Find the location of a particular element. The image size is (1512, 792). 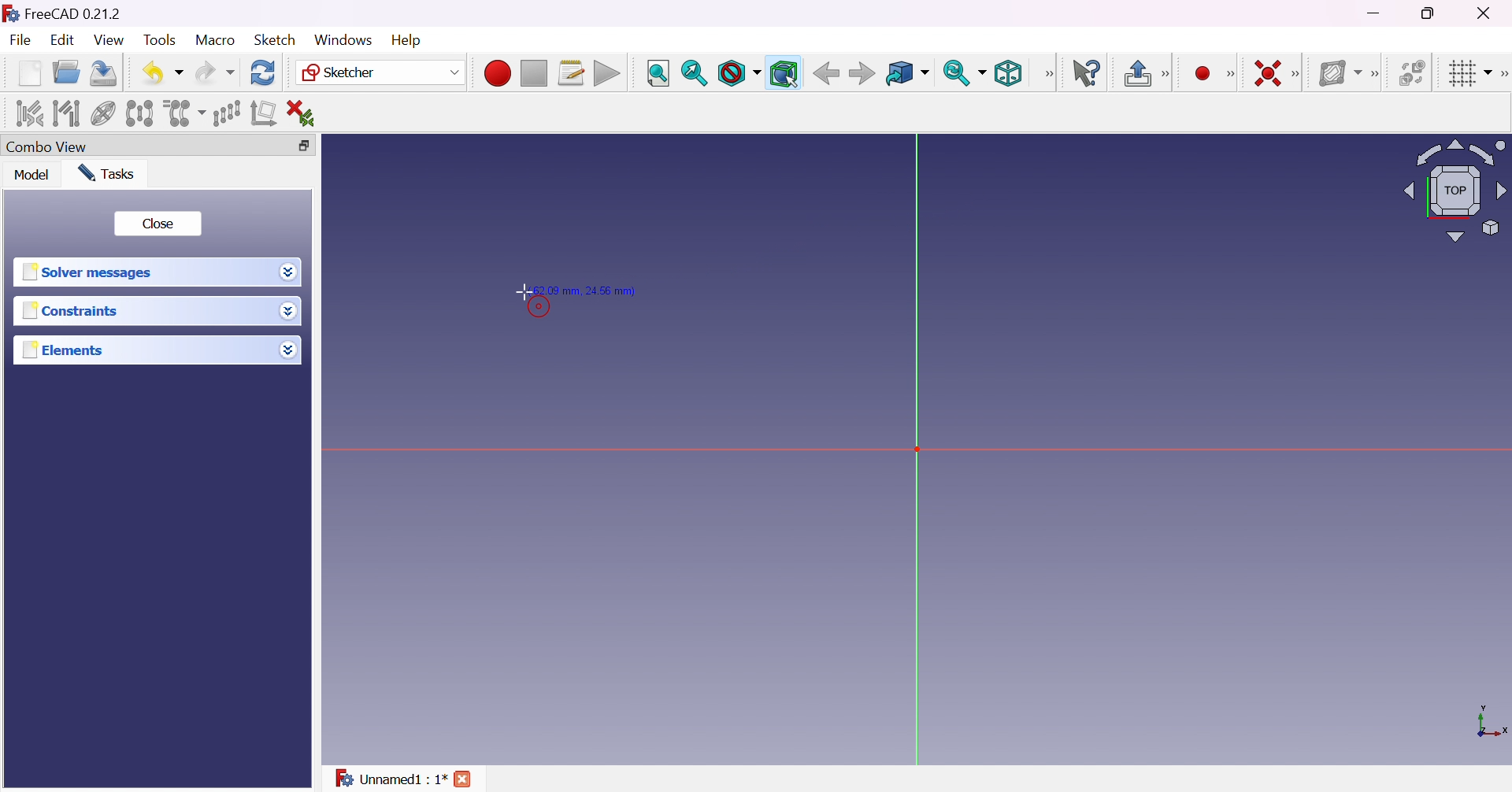

Switch virtual space is located at coordinates (1415, 72).